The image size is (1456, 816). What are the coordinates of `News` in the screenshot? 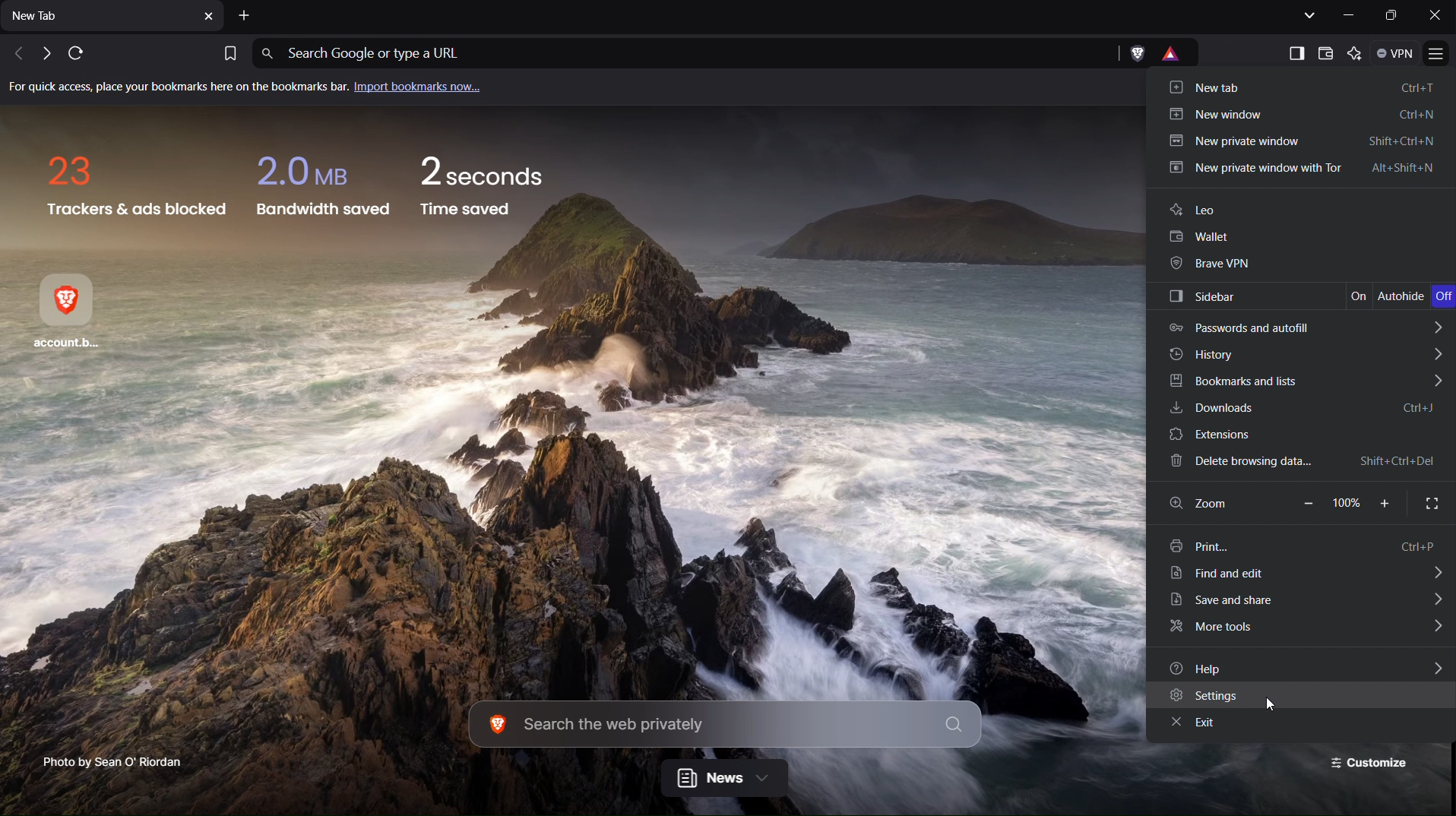 It's located at (724, 780).